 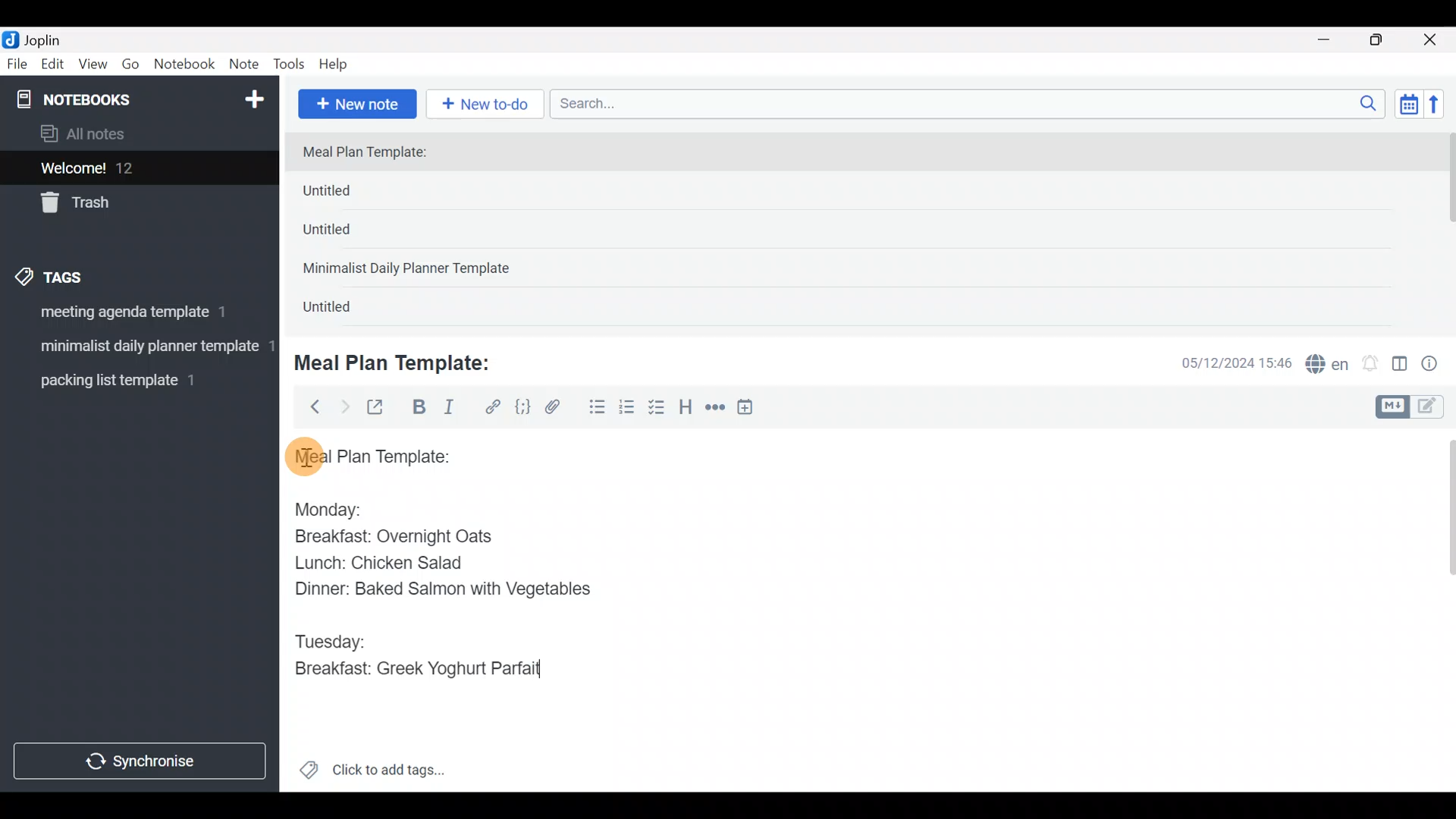 What do you see at coordinates (318, 507) in the screenshot?
I see `Monday:` at bounding box center [318, 507].